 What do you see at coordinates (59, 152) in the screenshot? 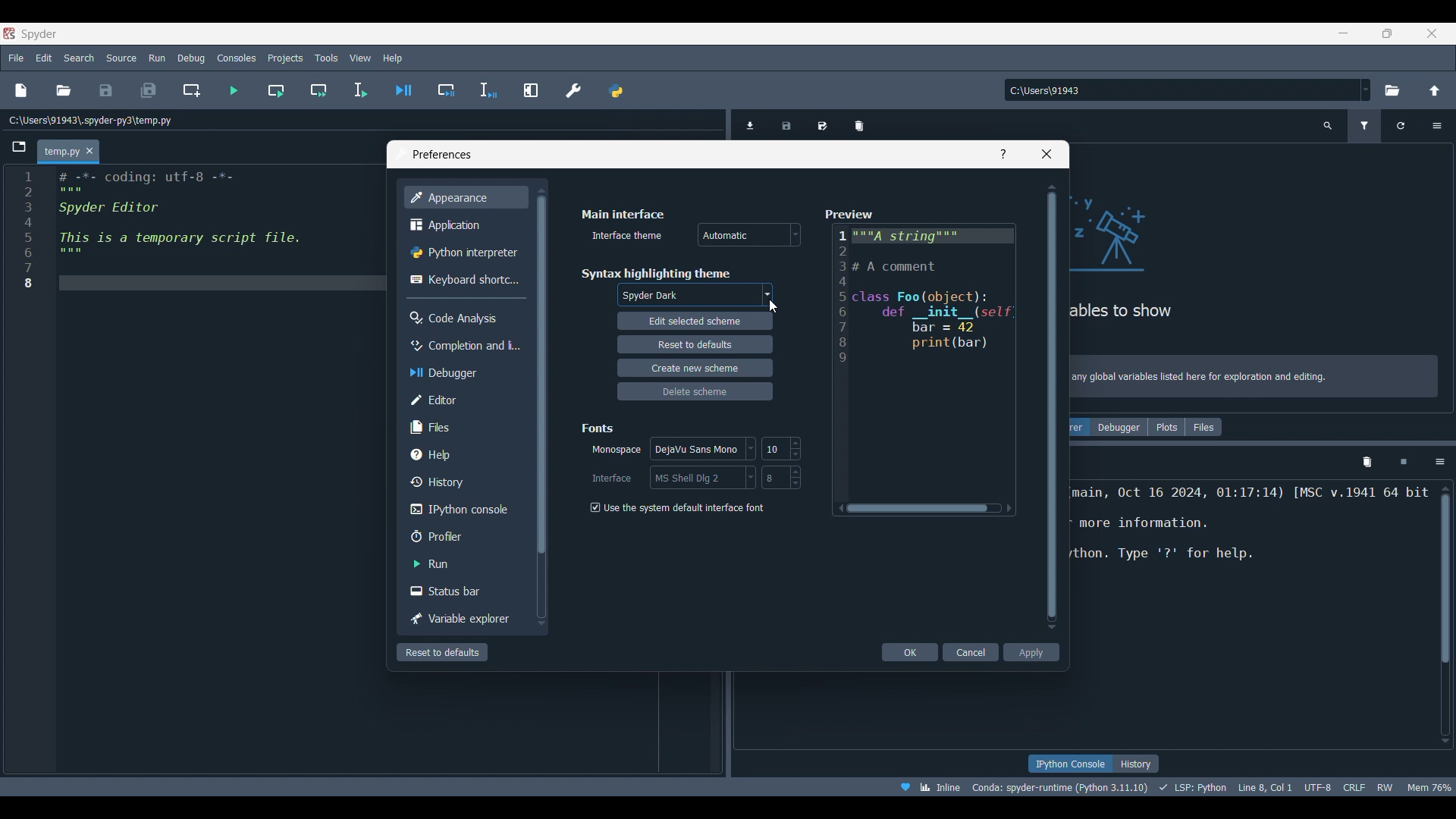
I see `Current tab` at bounding box center [59, 152].